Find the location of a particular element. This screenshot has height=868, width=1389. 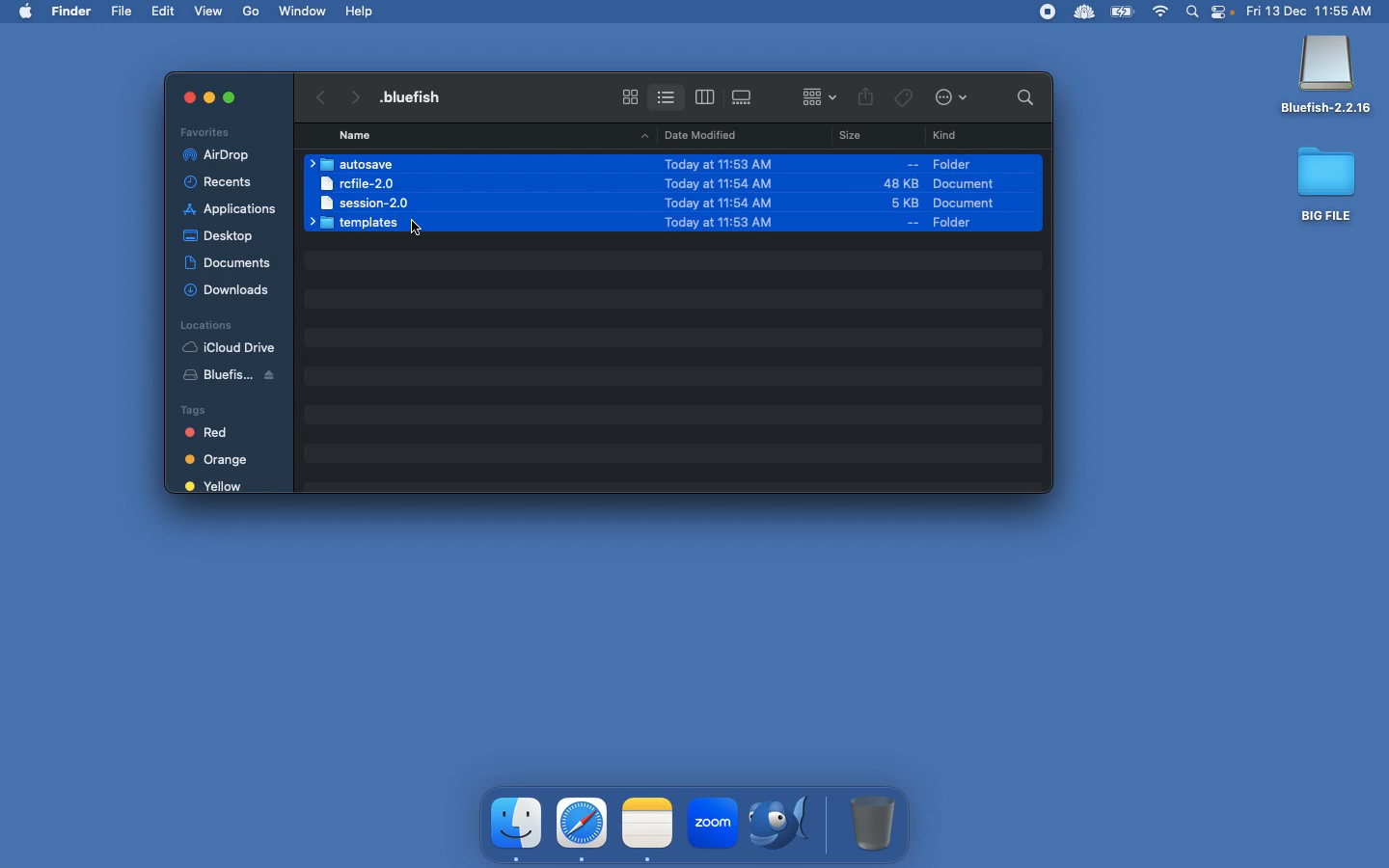

autosave is located at coordinates (357, 164).